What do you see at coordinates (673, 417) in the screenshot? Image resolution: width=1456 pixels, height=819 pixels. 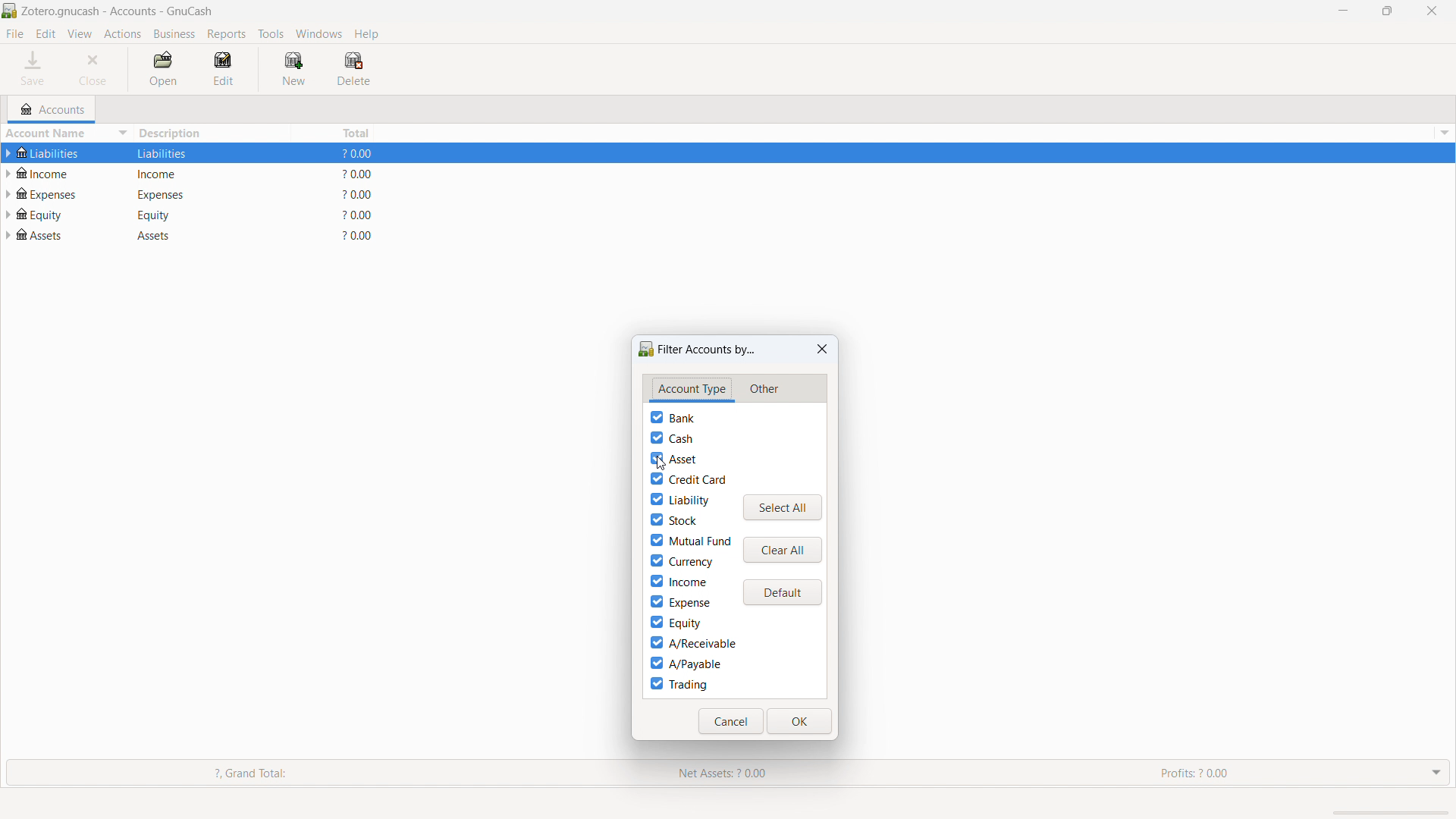 I see `bank` at bounding box center [673, 417].